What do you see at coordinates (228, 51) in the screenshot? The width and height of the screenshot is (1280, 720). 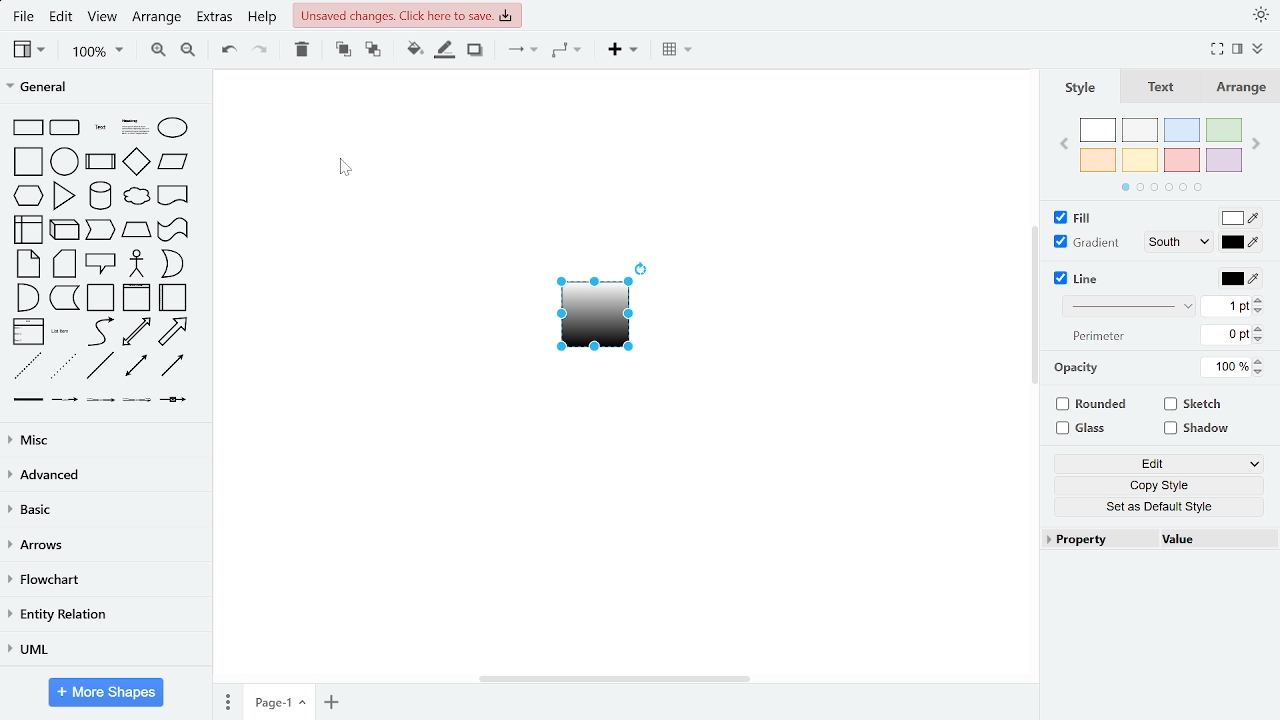 I see `undo` at bounding box center [228, 51].